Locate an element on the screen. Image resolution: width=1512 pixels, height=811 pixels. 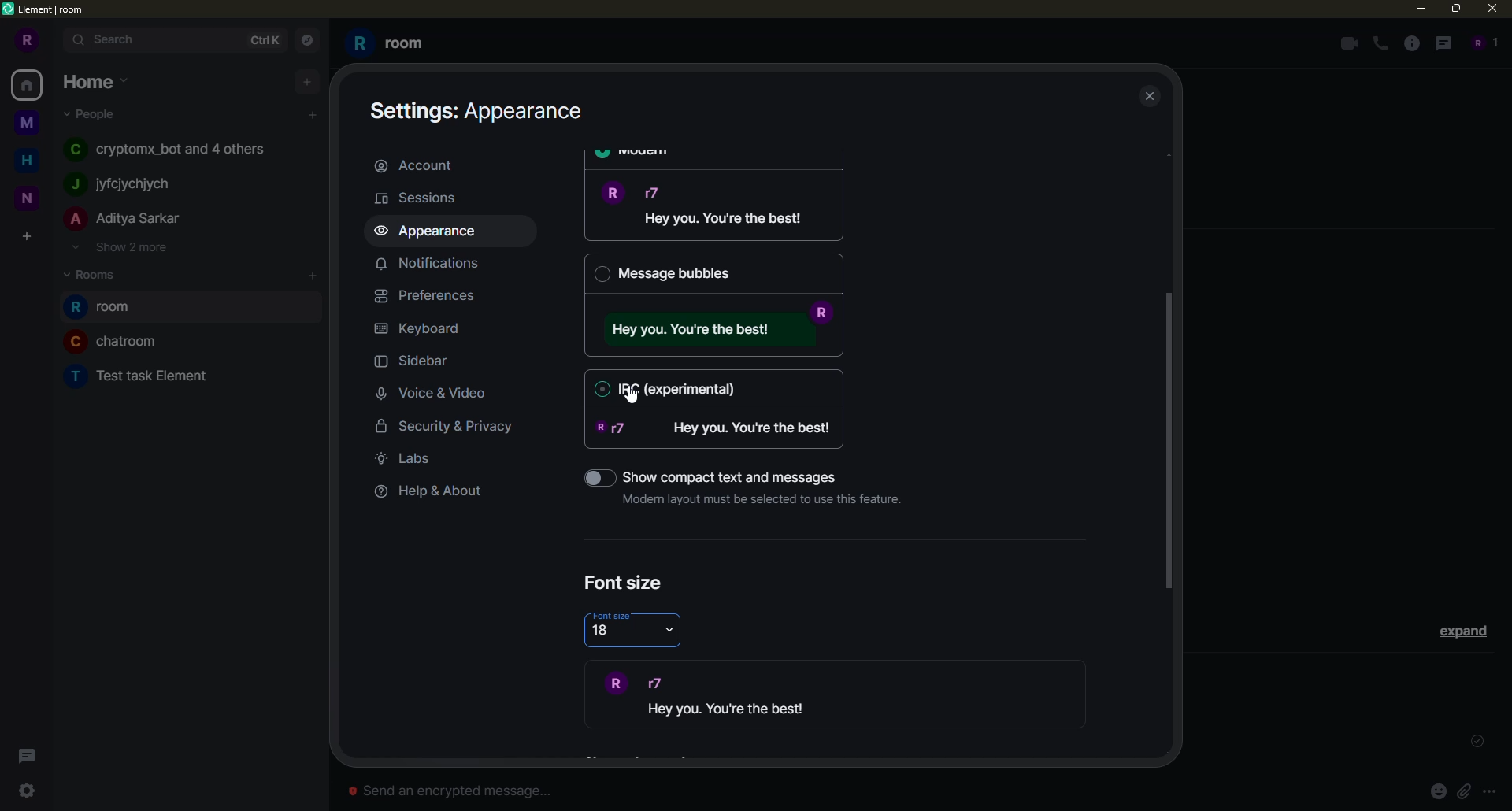
close is located at coordinates (1495, 8).